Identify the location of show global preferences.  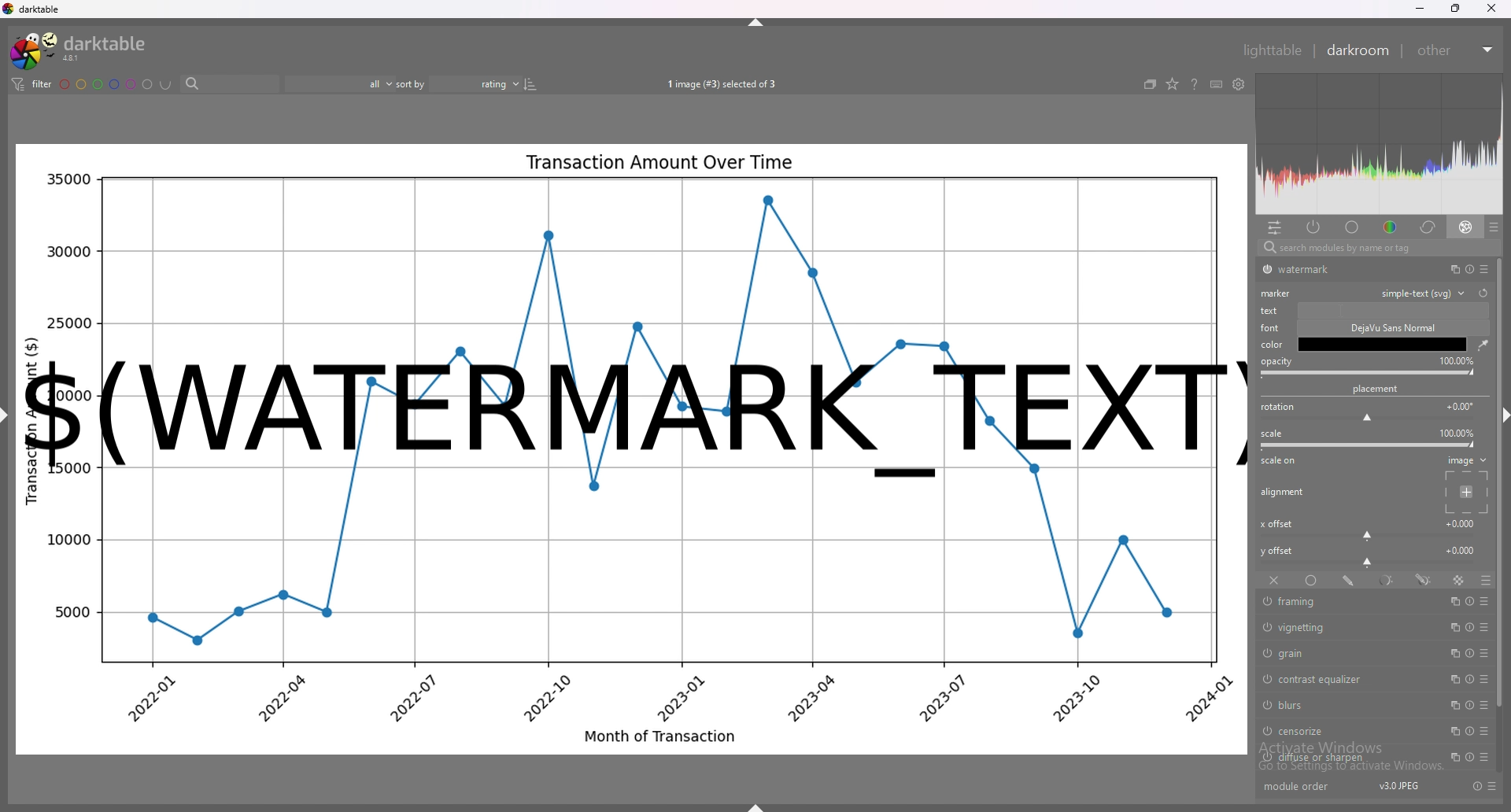
(1238, 84).